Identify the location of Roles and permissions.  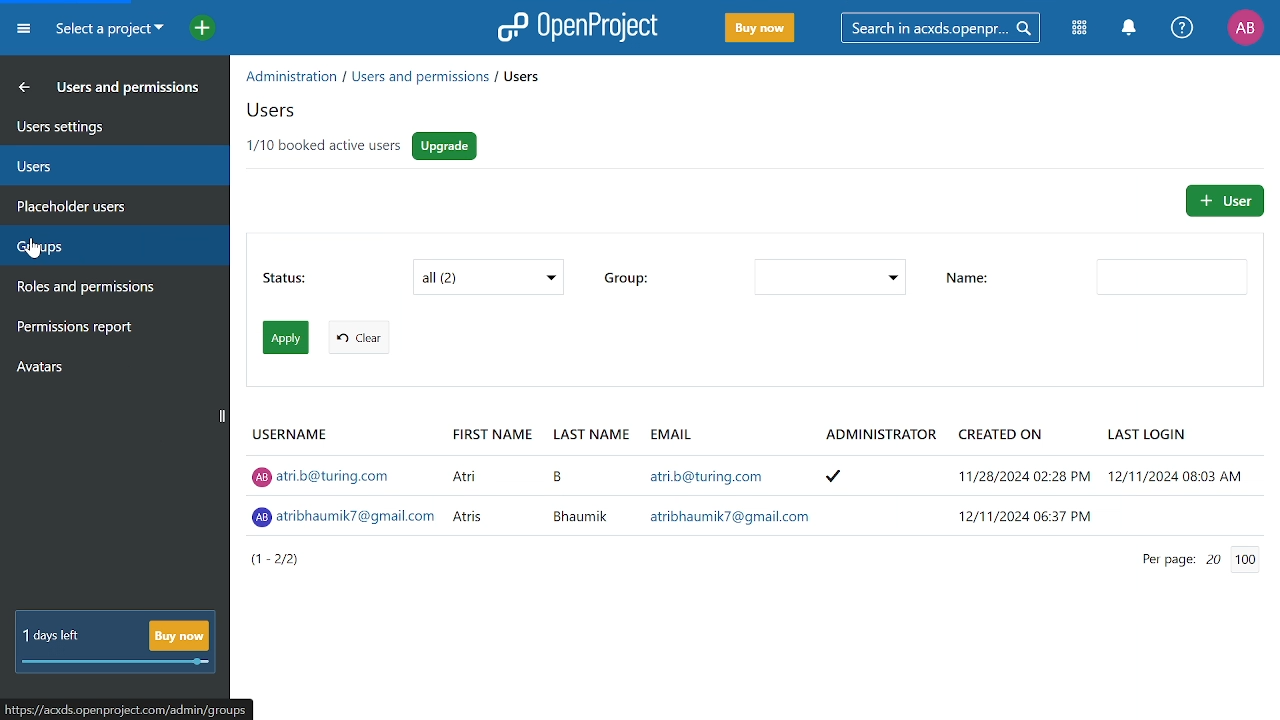
(103, 289).